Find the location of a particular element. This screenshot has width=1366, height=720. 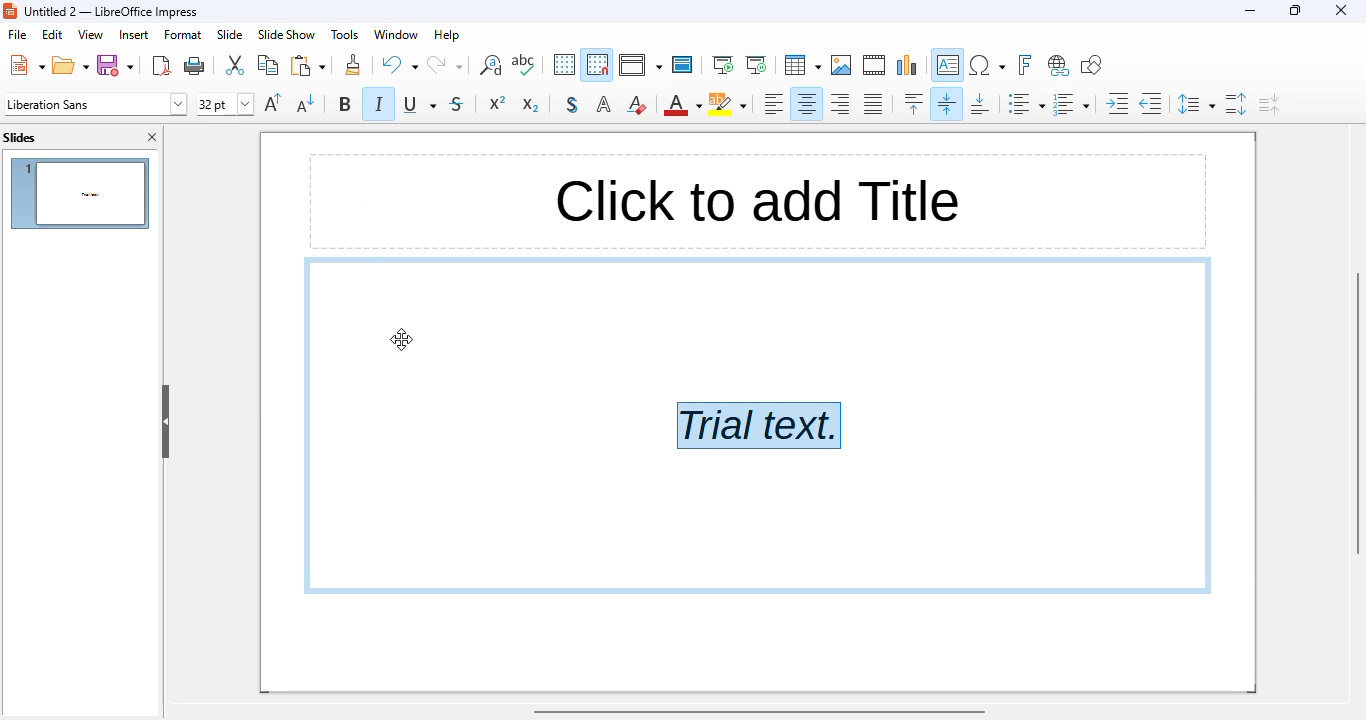

file is located at coordinates (17, 34).